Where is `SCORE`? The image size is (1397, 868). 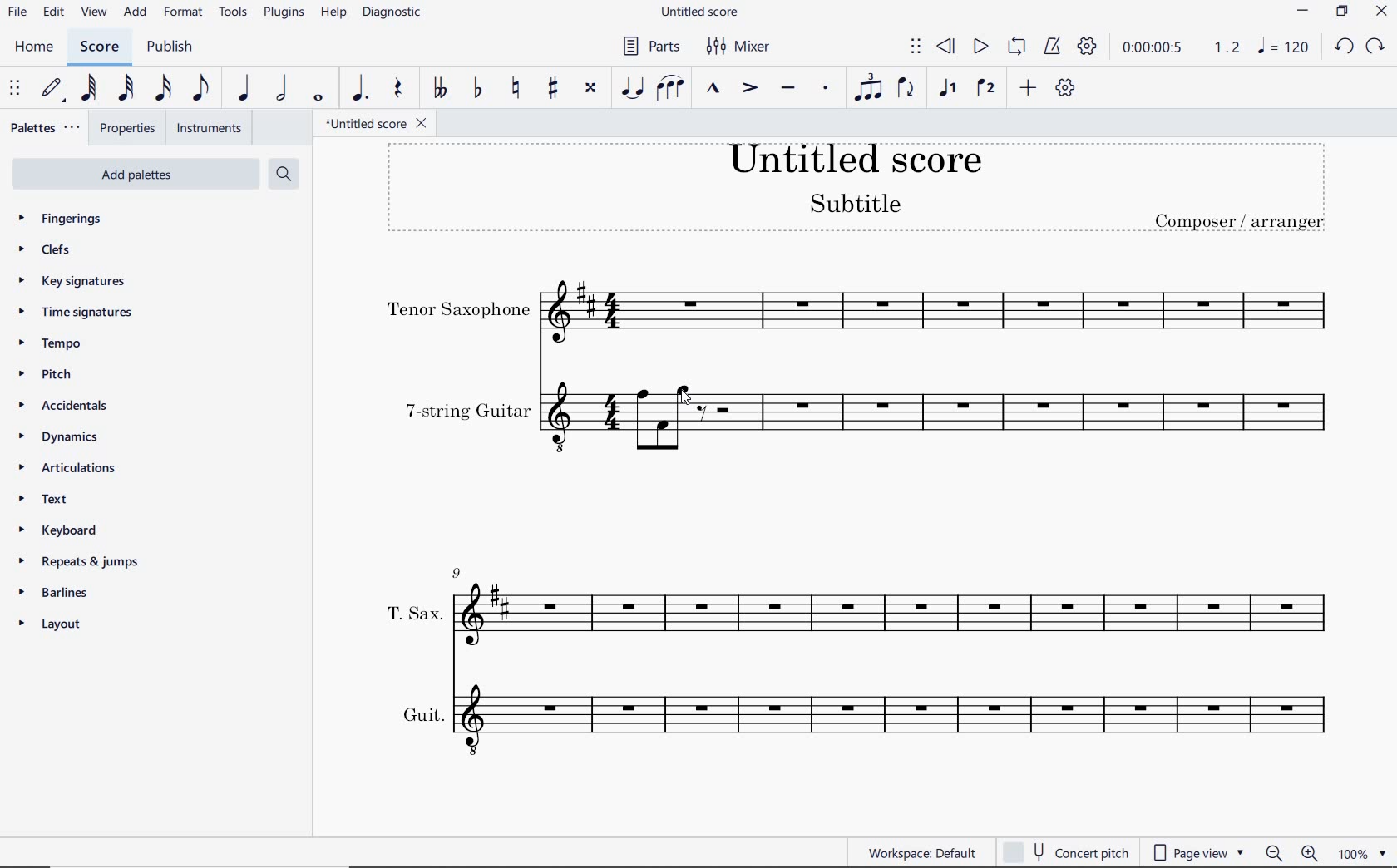
SCORE is located at coordinates (98, 47).